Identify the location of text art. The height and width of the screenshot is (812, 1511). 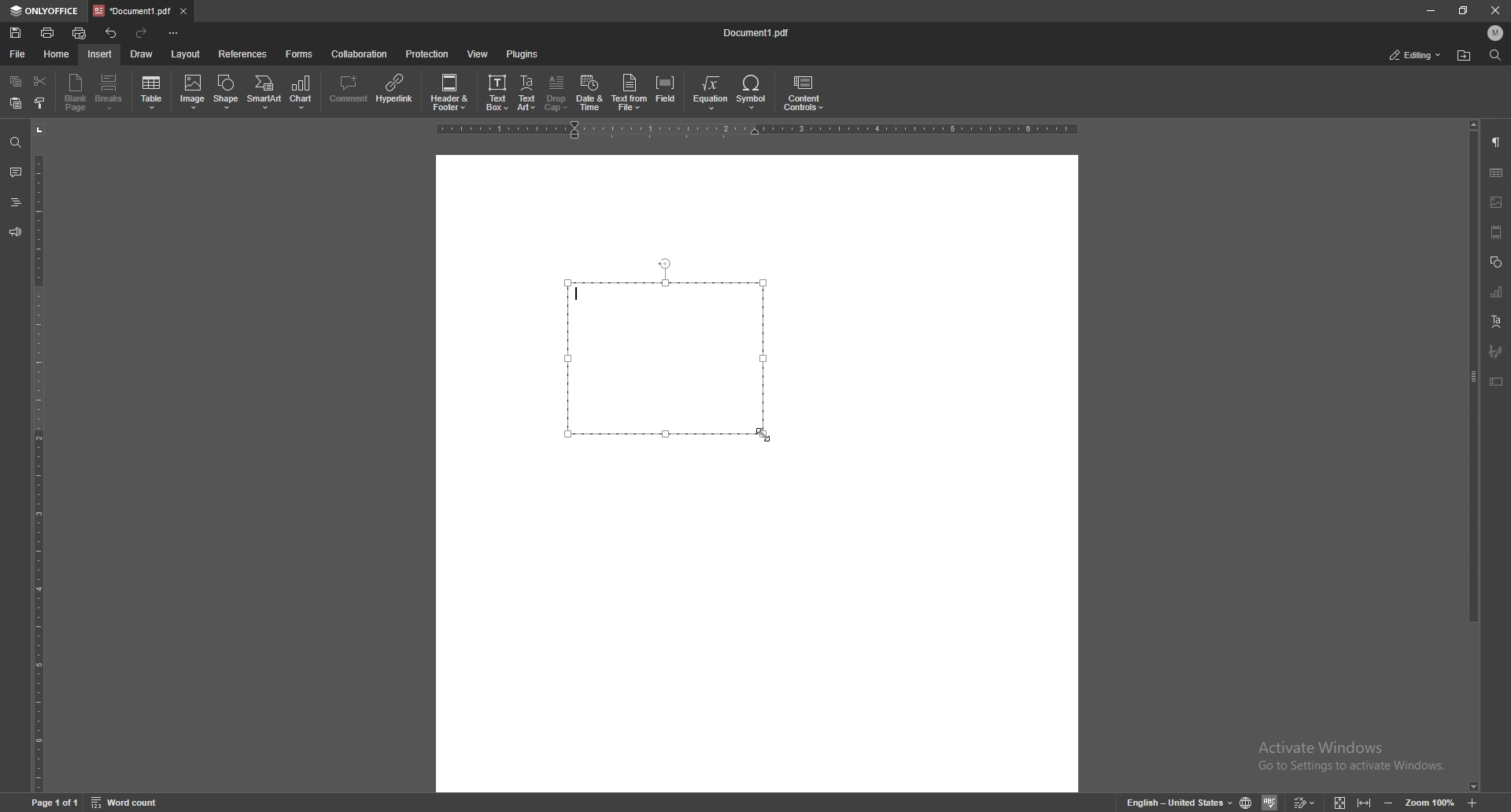
(528, 94).